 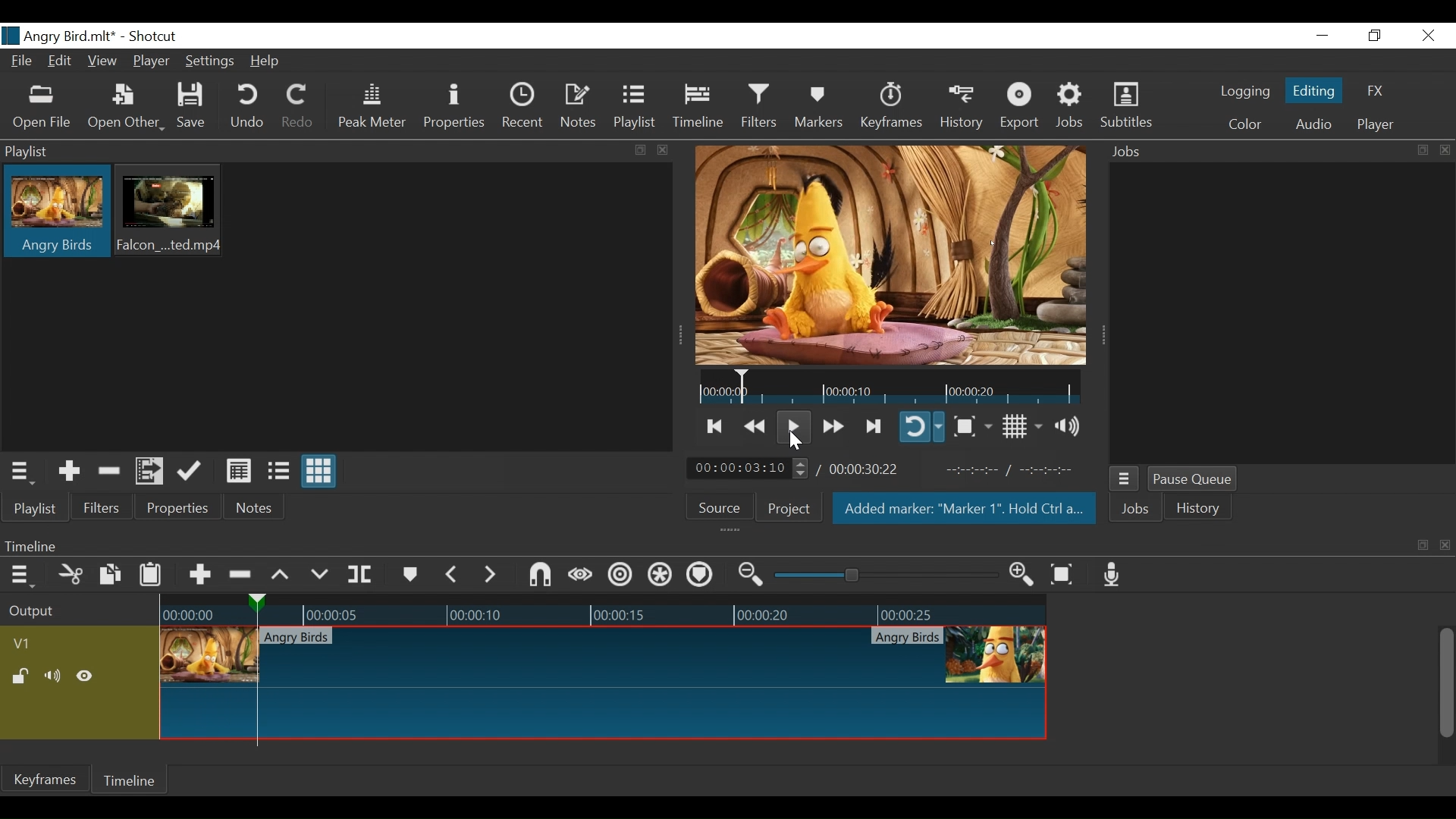 What do you see at coordinates (729, 544) in the screenshot?
I see `` at bounding box center [729, 544].